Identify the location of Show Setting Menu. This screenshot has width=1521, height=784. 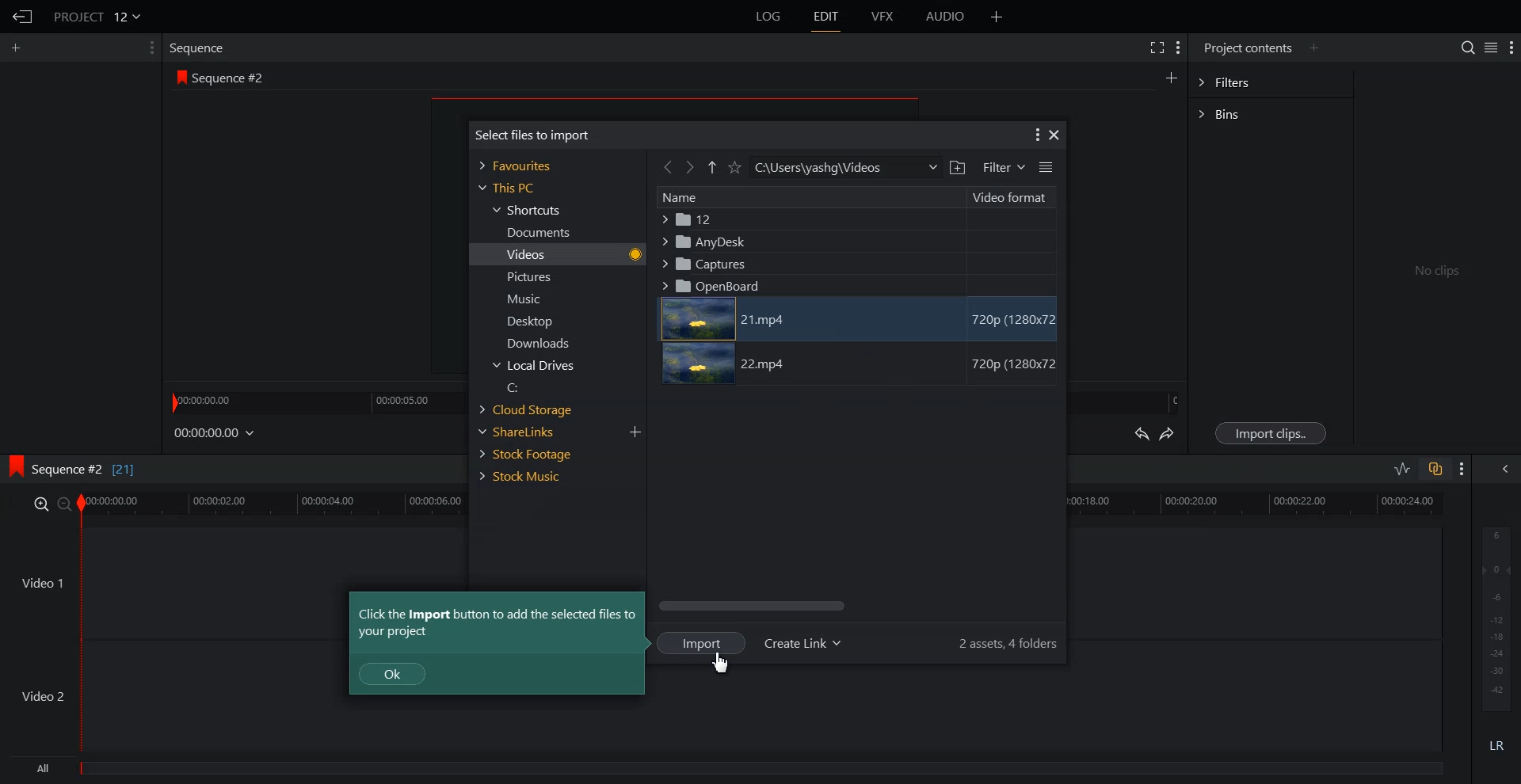
(147, 48).